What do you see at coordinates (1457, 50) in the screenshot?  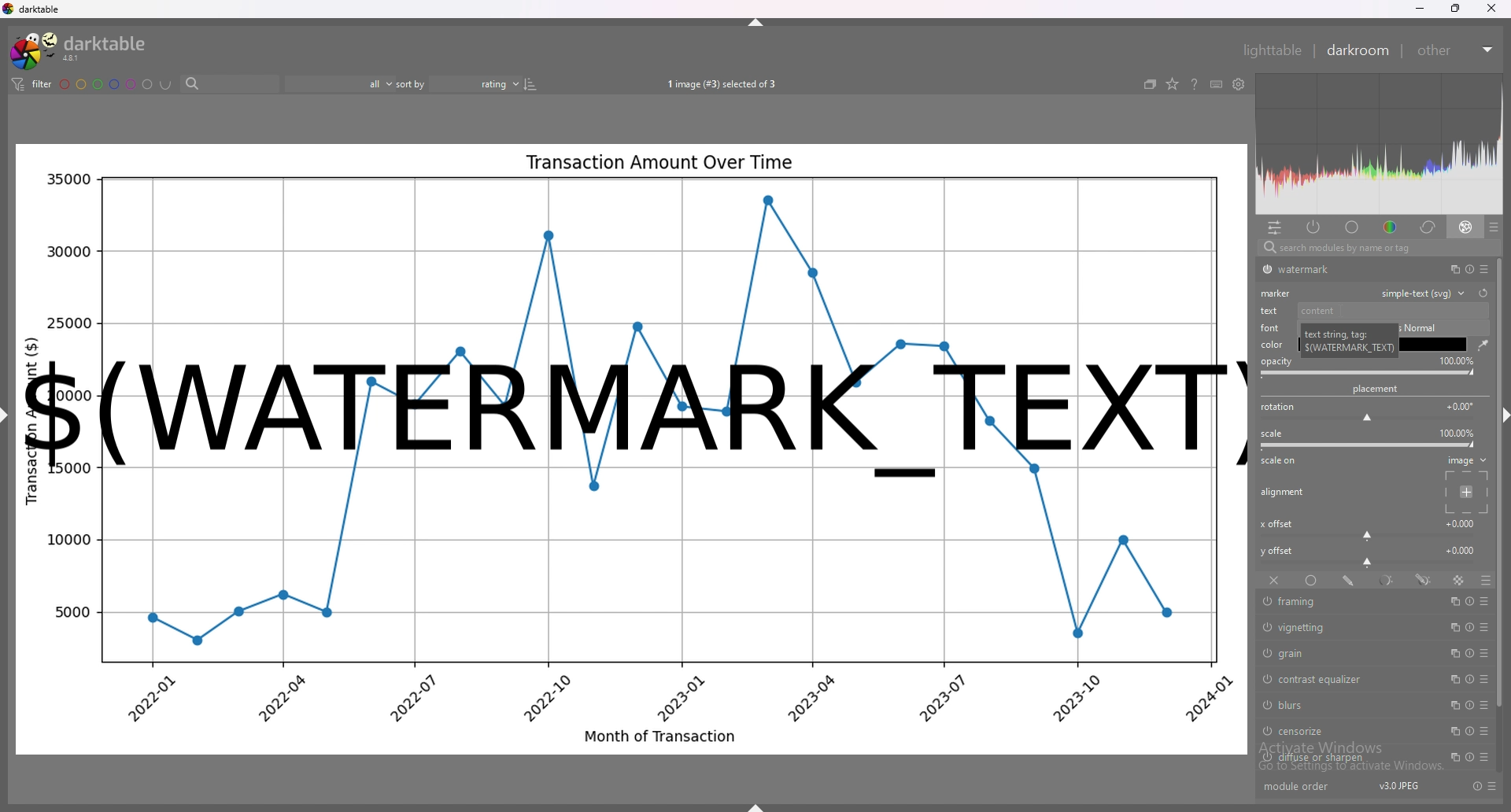 I see `other` at bounding box center [1457, 50].